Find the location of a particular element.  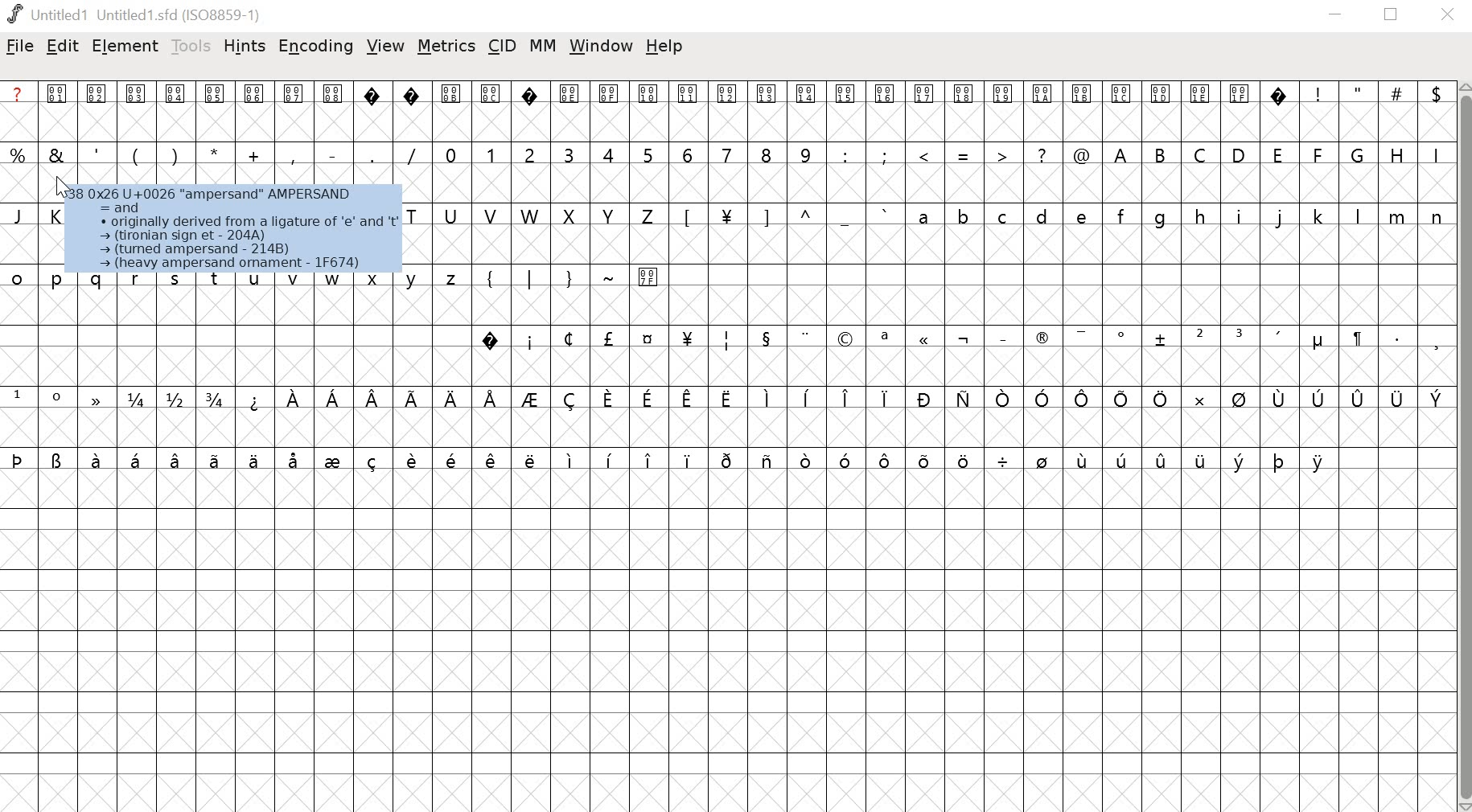

G is located at coordinates (1359, 154).